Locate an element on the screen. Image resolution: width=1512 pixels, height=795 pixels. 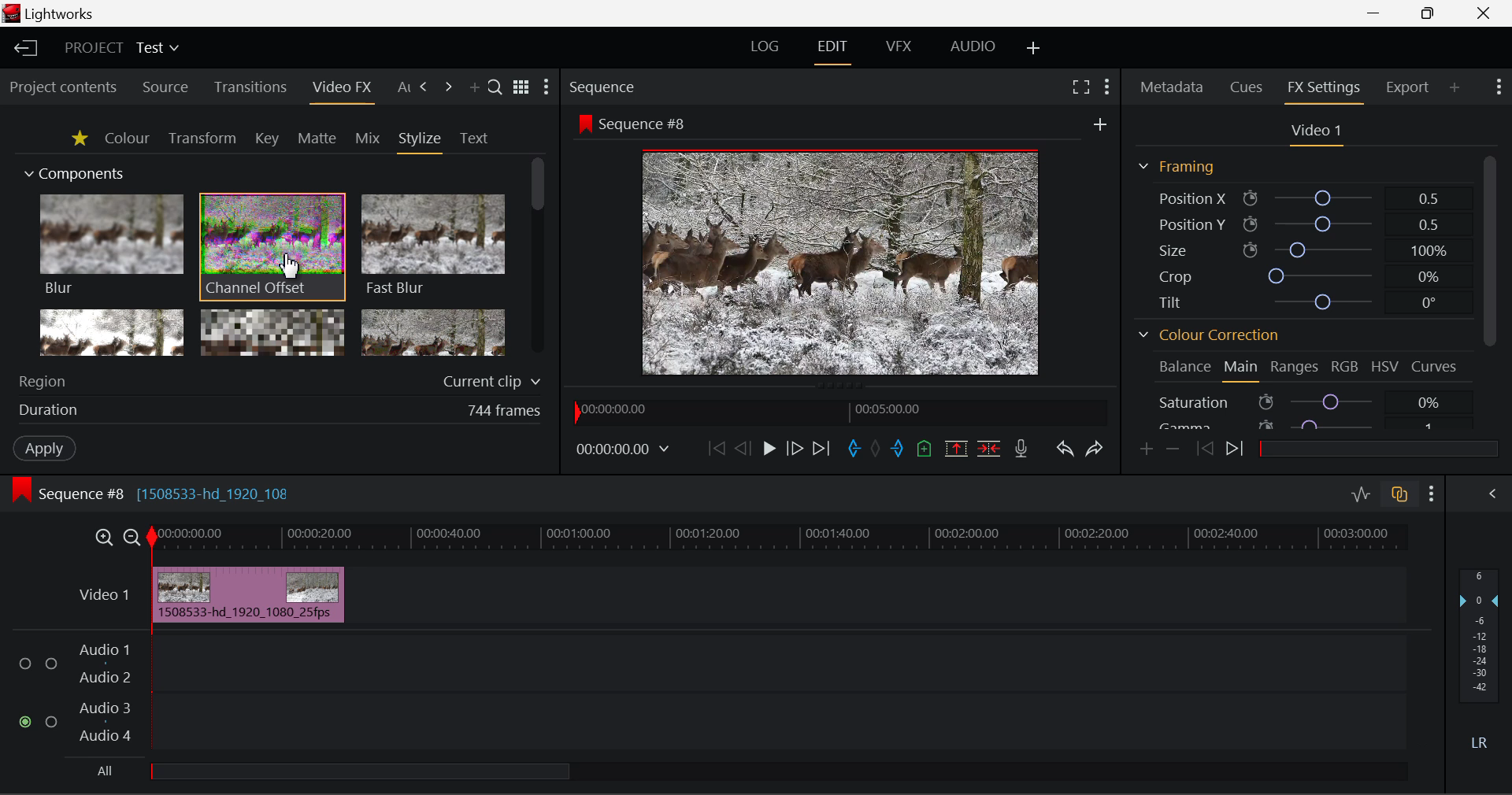
Project Timeline Track is located at coordinates (780, 540).